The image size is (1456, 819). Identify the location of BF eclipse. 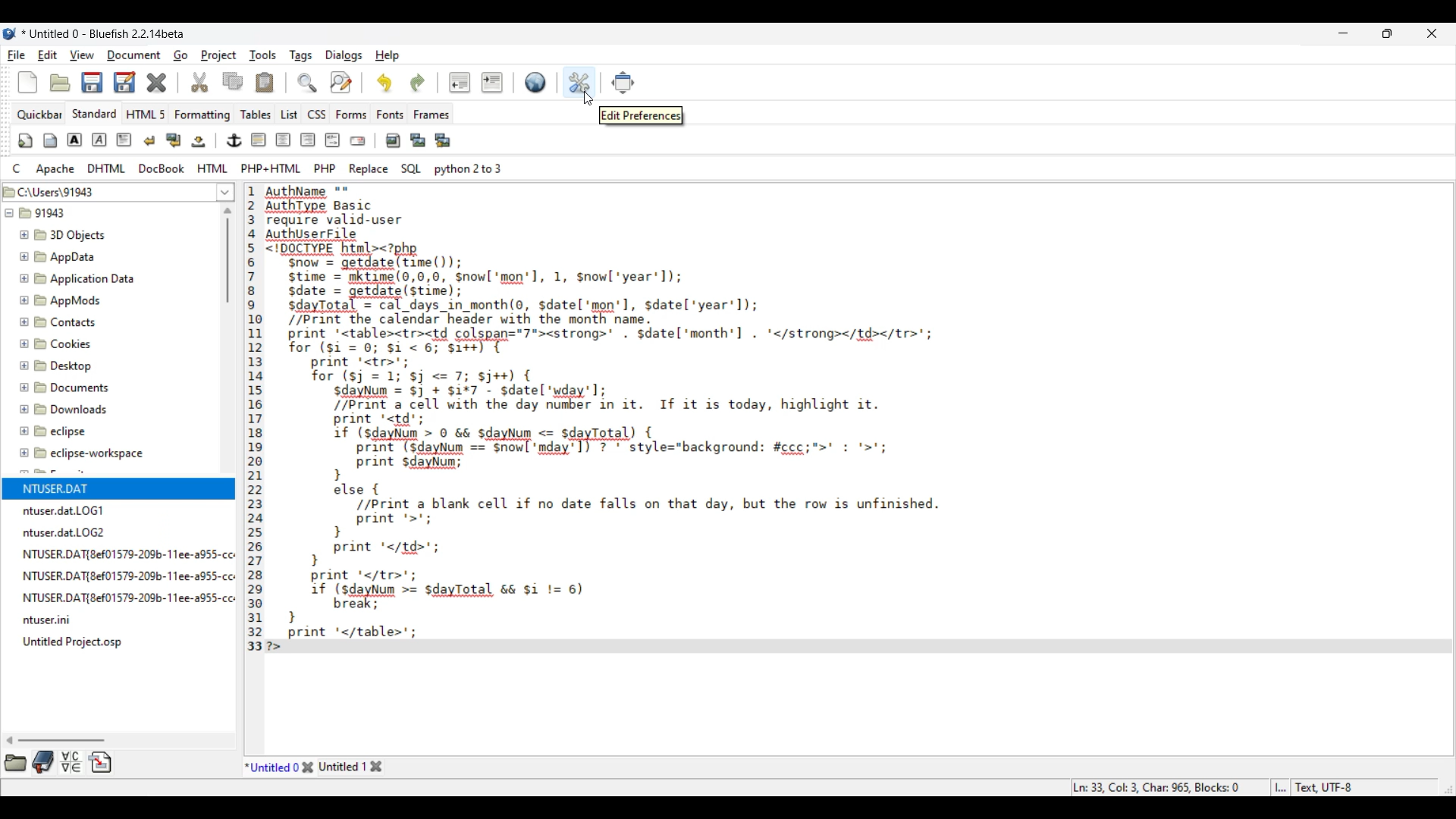
(72, 431).